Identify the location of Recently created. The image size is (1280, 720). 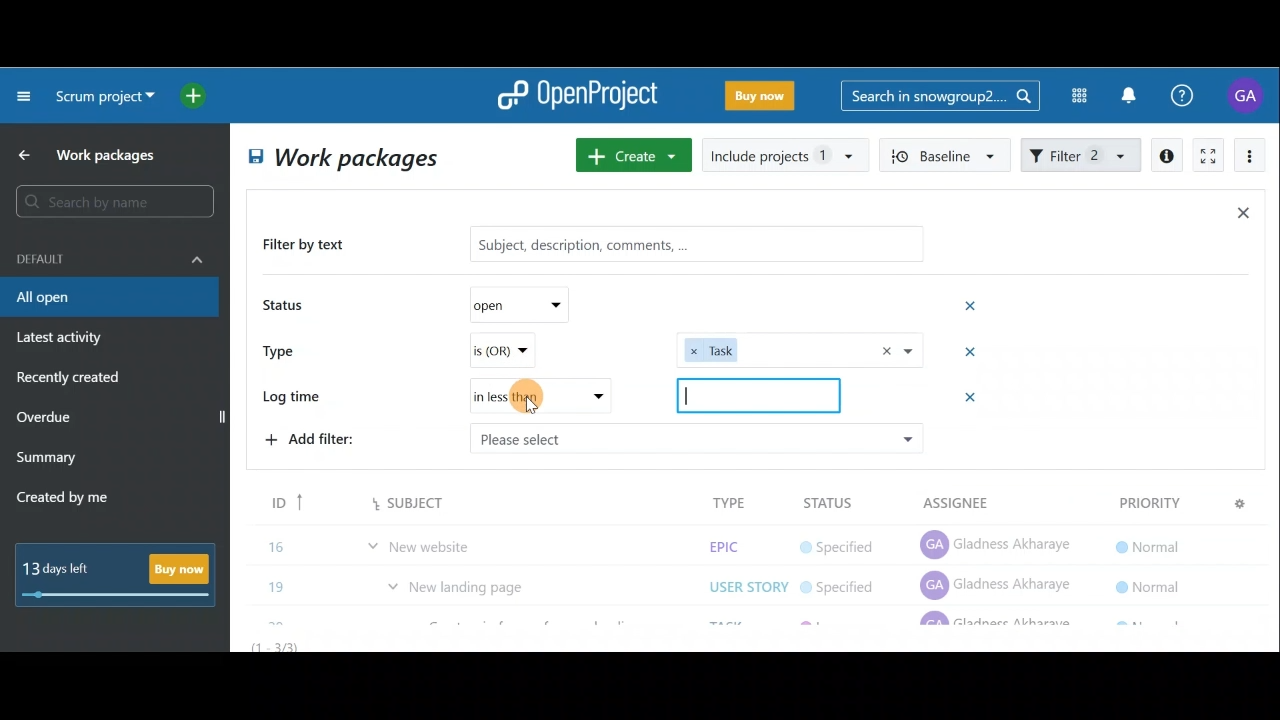
(71, 380).